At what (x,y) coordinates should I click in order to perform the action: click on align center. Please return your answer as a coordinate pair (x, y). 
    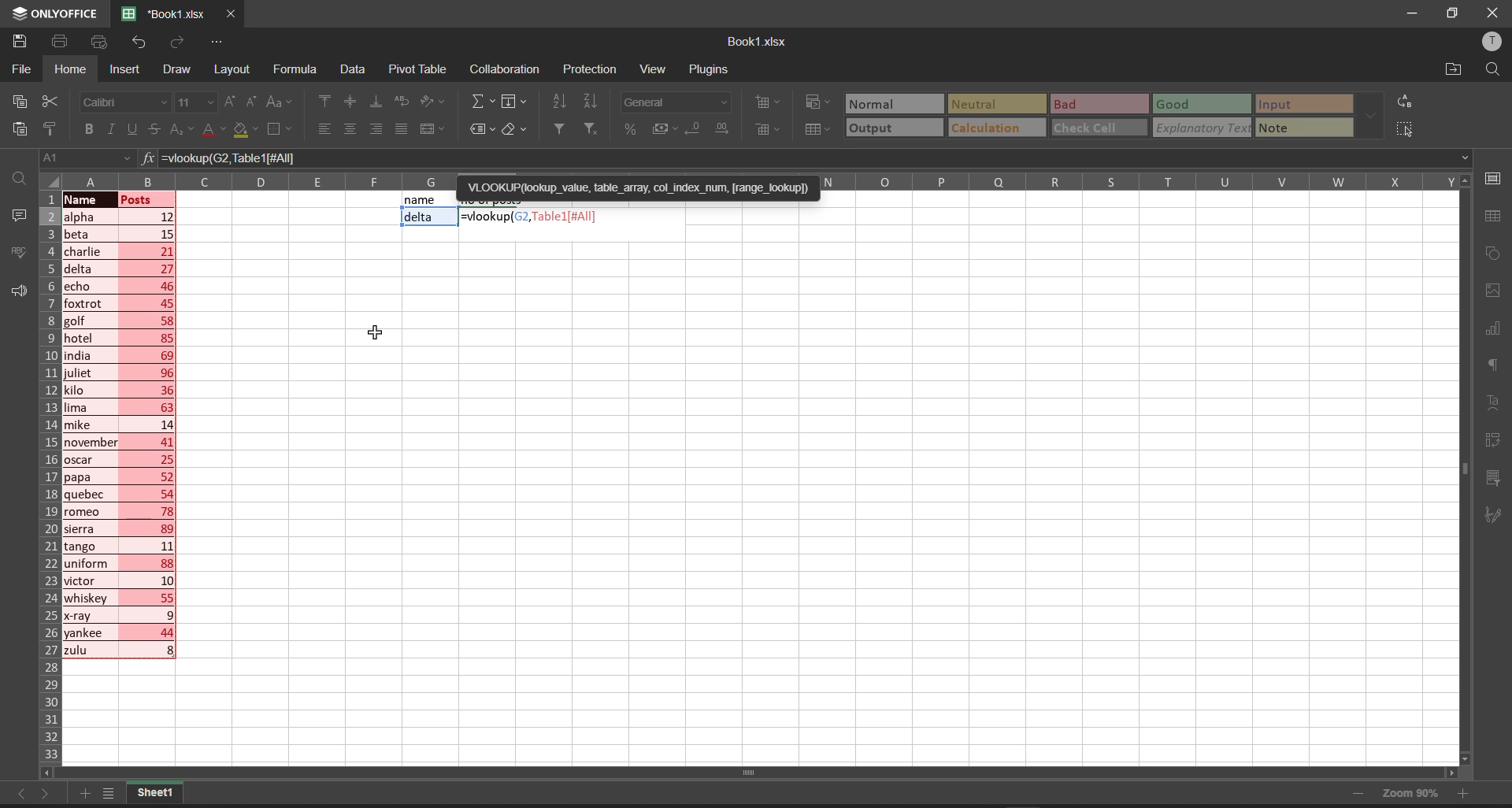
    Looking at the image, I should click on (349, 102).